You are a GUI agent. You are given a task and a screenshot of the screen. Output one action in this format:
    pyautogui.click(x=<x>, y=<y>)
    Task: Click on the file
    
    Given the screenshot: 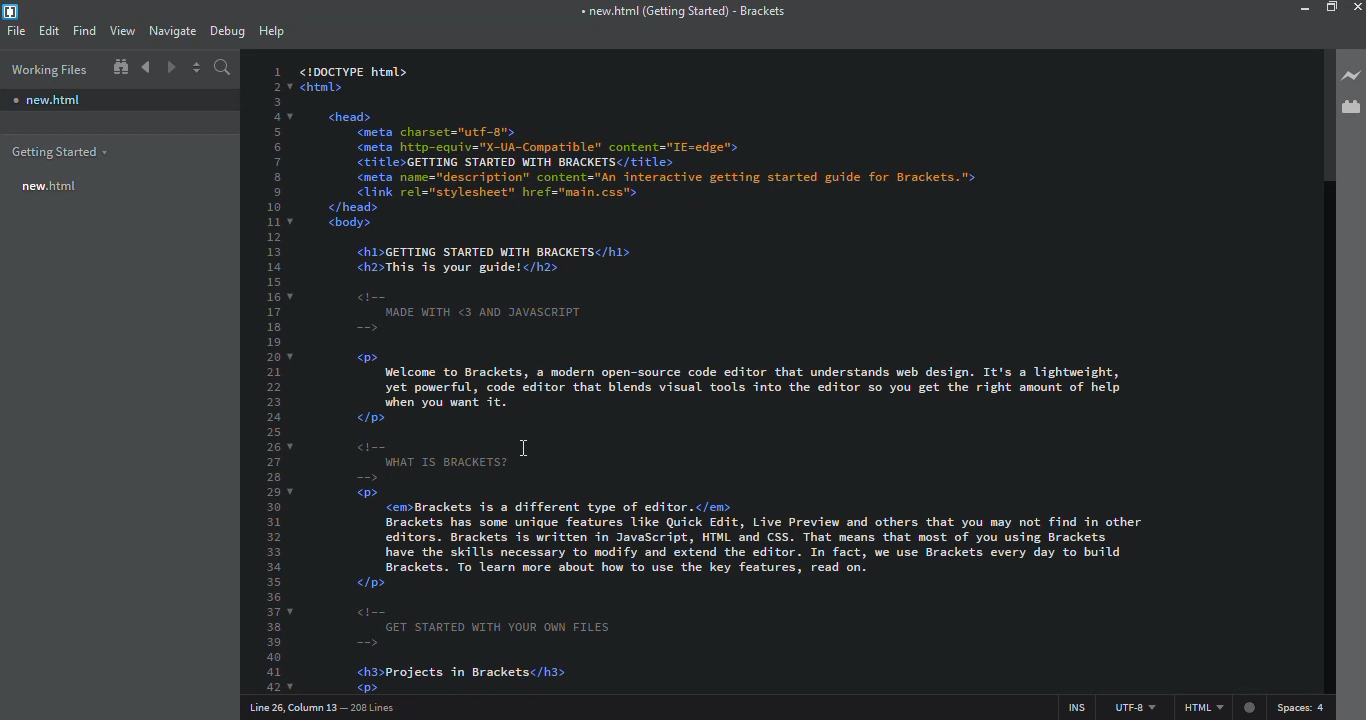 What is the action you would take?
    pyautogui.click(x=17, y=30)
    